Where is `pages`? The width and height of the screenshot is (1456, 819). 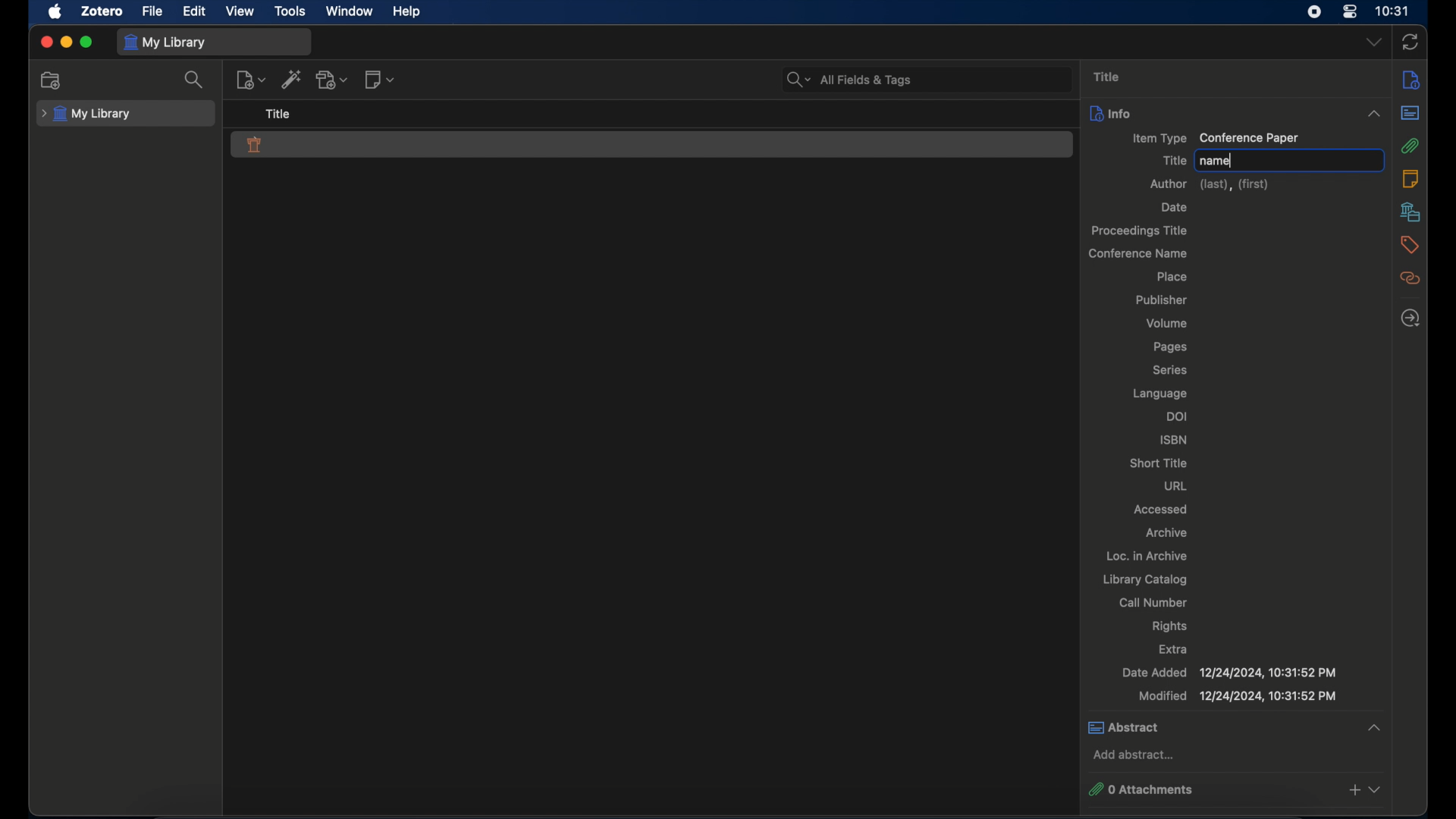 pages is located at coordinates (1170, 347).